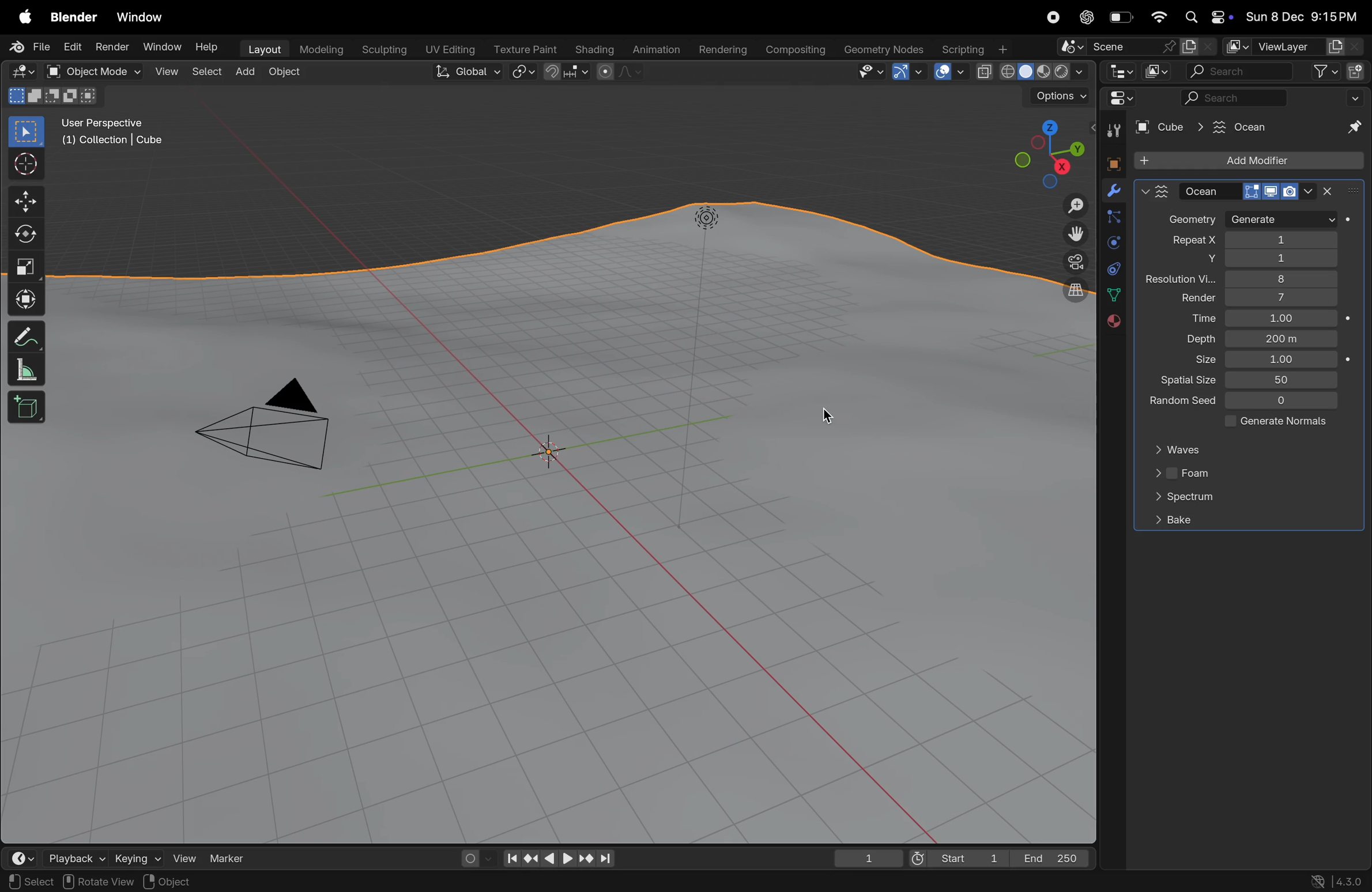 This screenshot has height=892, width=1372. I want to click on view points, so click(1047, 152).